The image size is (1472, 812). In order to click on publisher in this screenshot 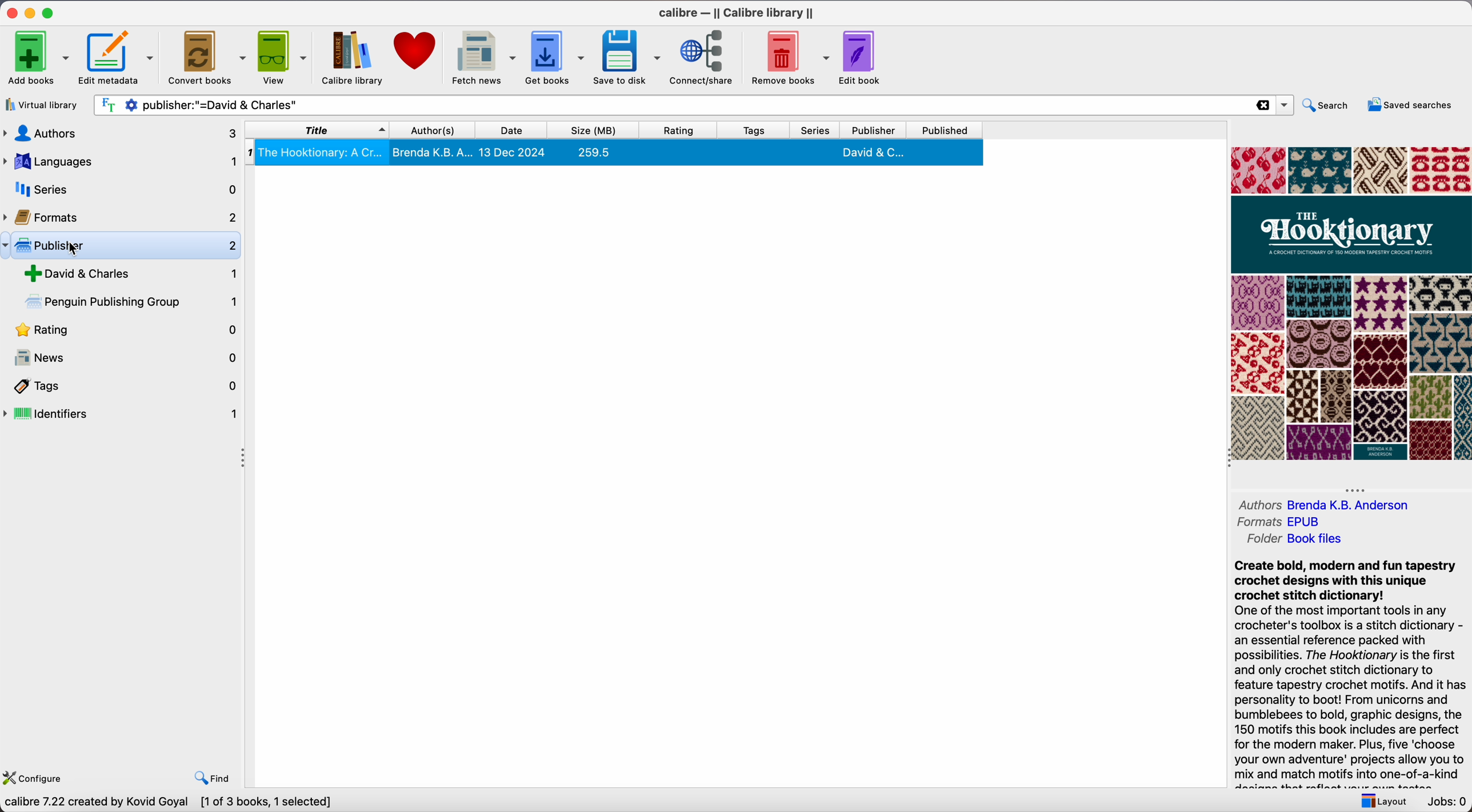, I will do `click(877, 130)`.